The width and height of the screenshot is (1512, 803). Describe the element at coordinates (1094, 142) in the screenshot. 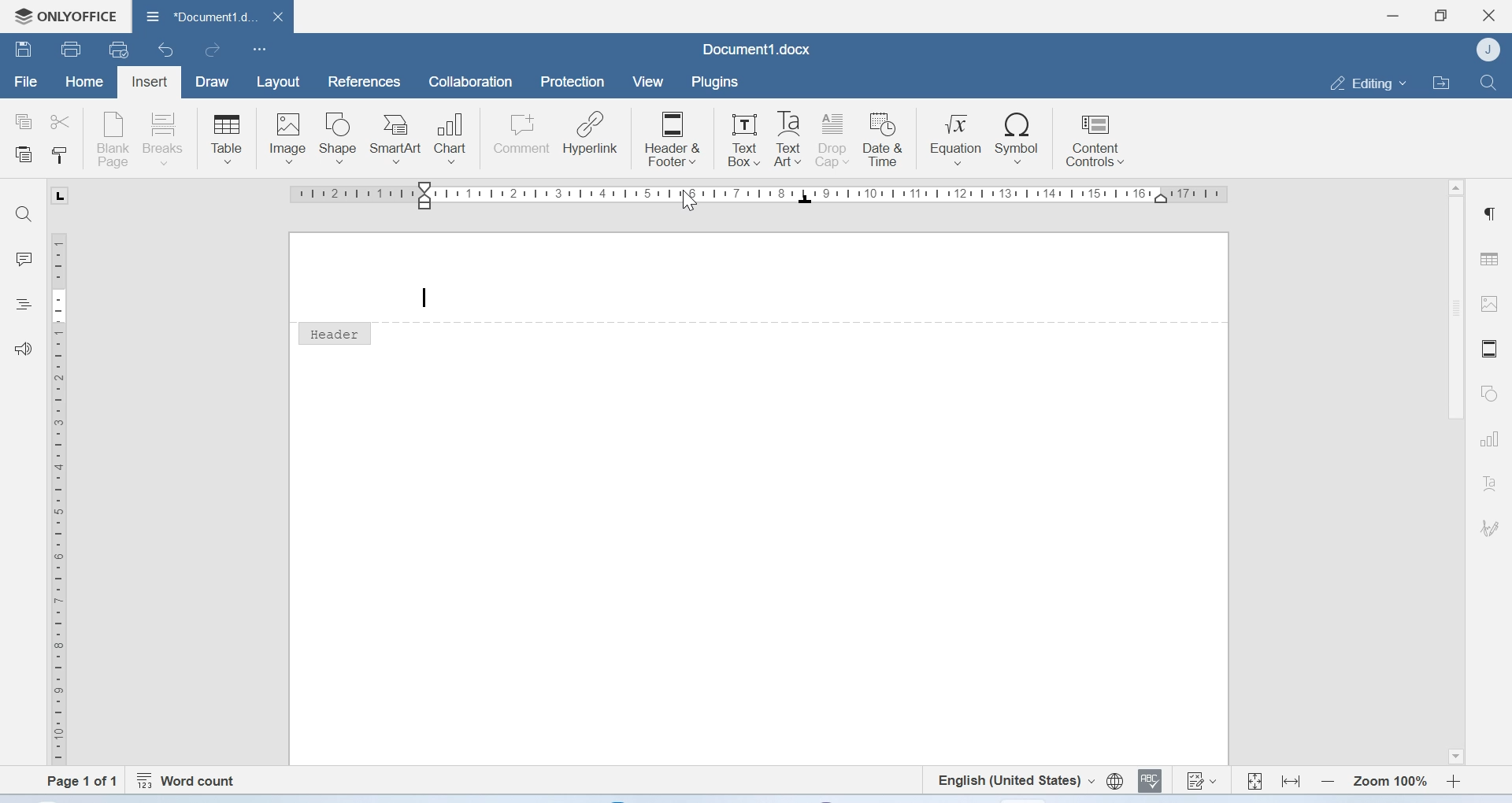

I see `Content controls` at that location.